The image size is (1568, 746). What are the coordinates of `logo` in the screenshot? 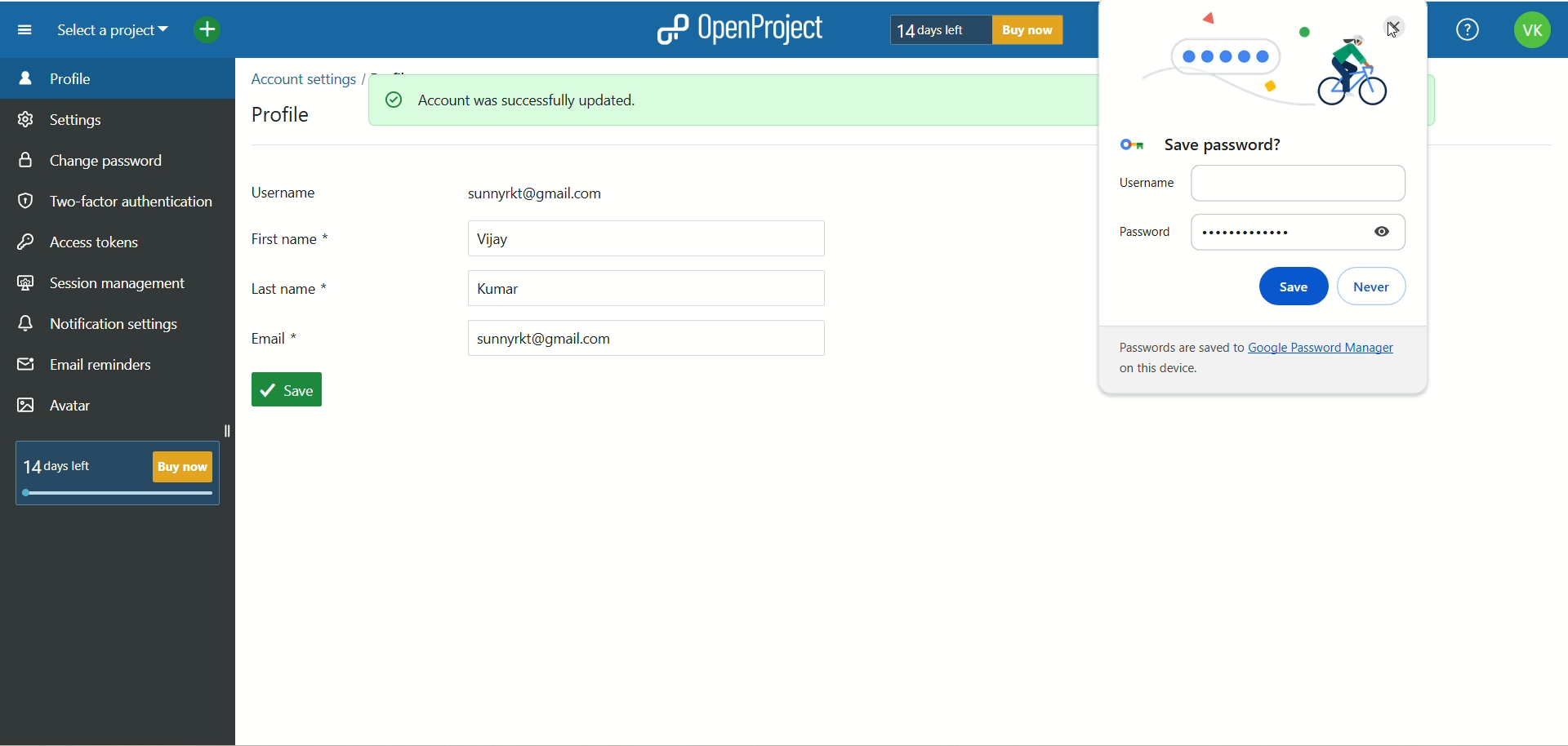 It's located at (670, 29).